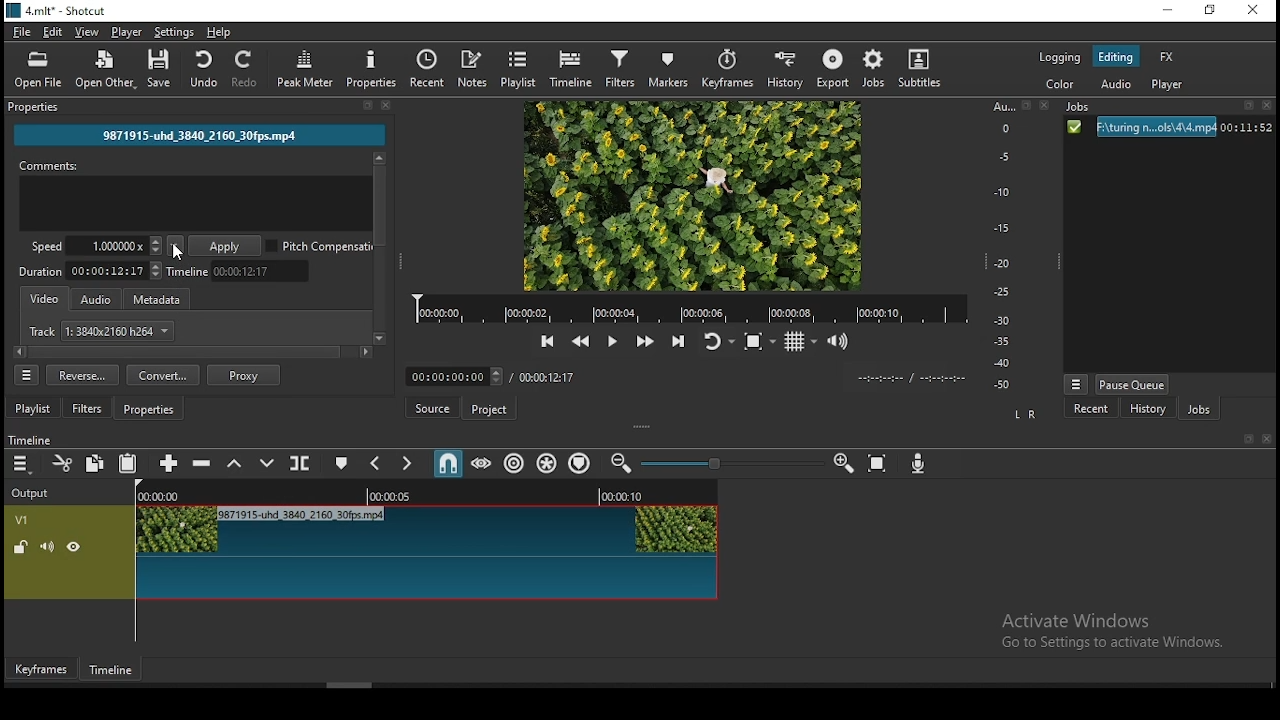 The height and width of the screenshot is (720, 1280). Describe the element at coordinates (457, 377) in the screenshot. I see `Timer` at that location.